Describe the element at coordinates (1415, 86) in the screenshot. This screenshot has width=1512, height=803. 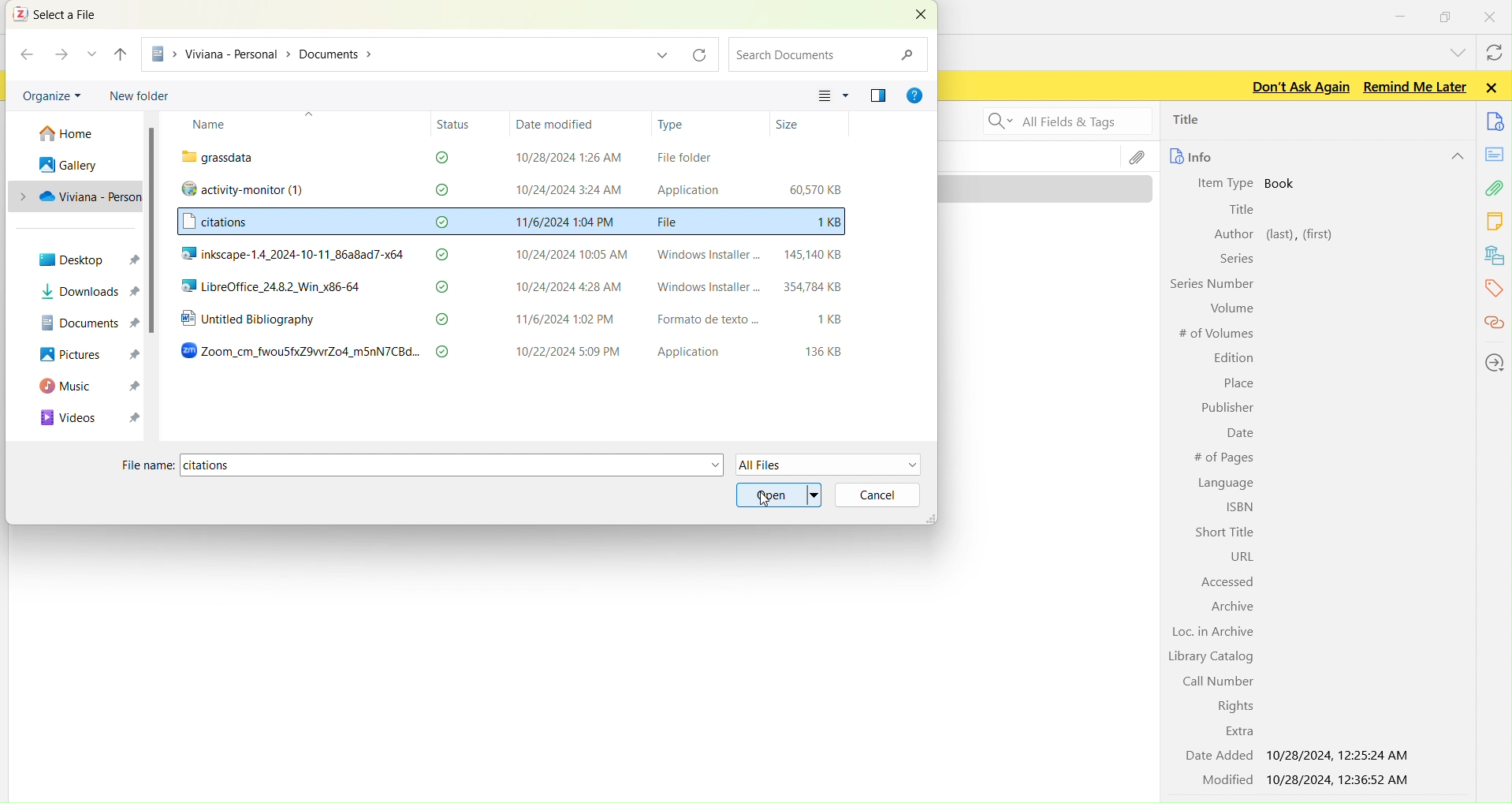
I see `Remind me later` at that location.